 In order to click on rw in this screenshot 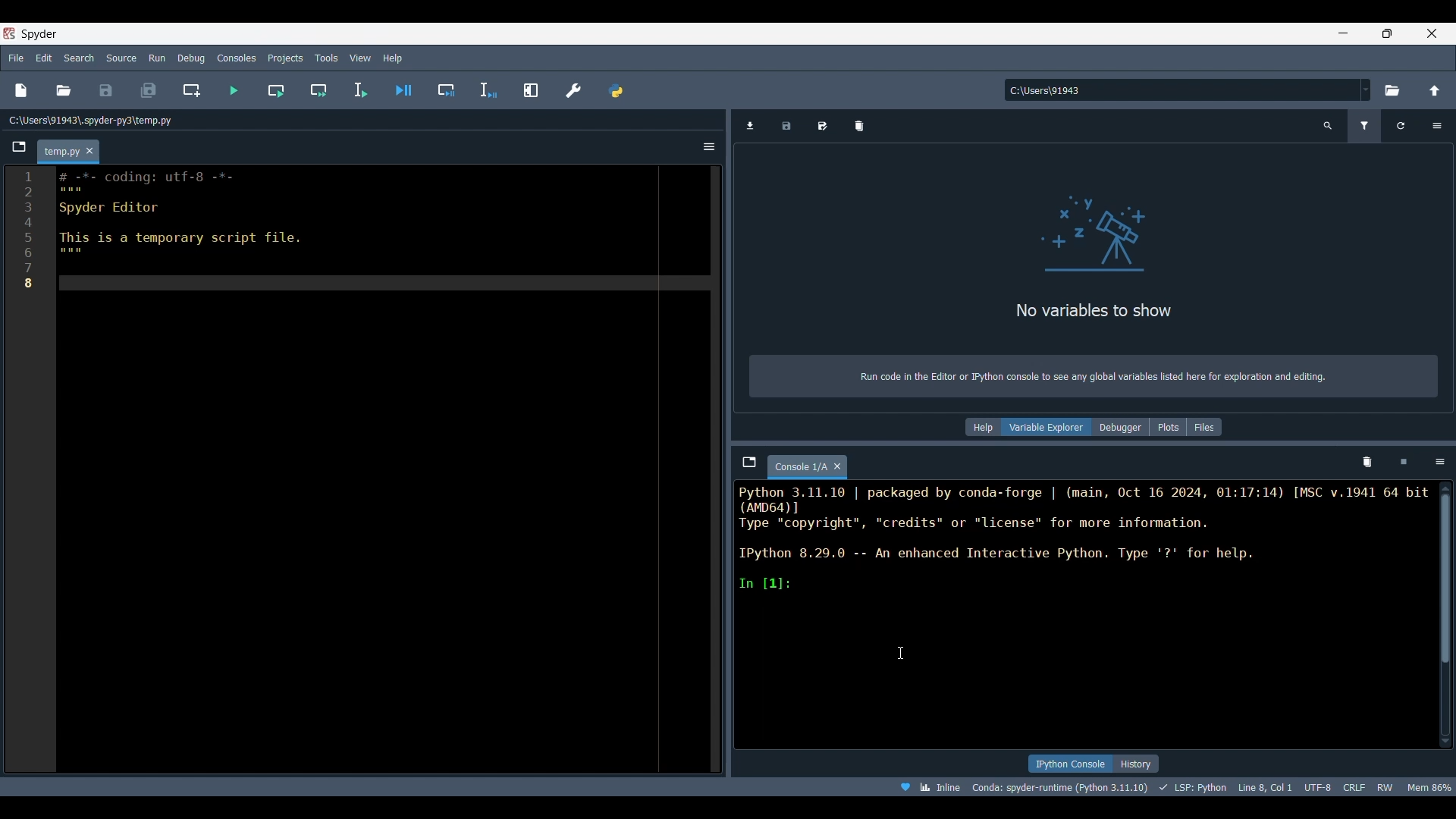, I will do `click(1386, 786)`.